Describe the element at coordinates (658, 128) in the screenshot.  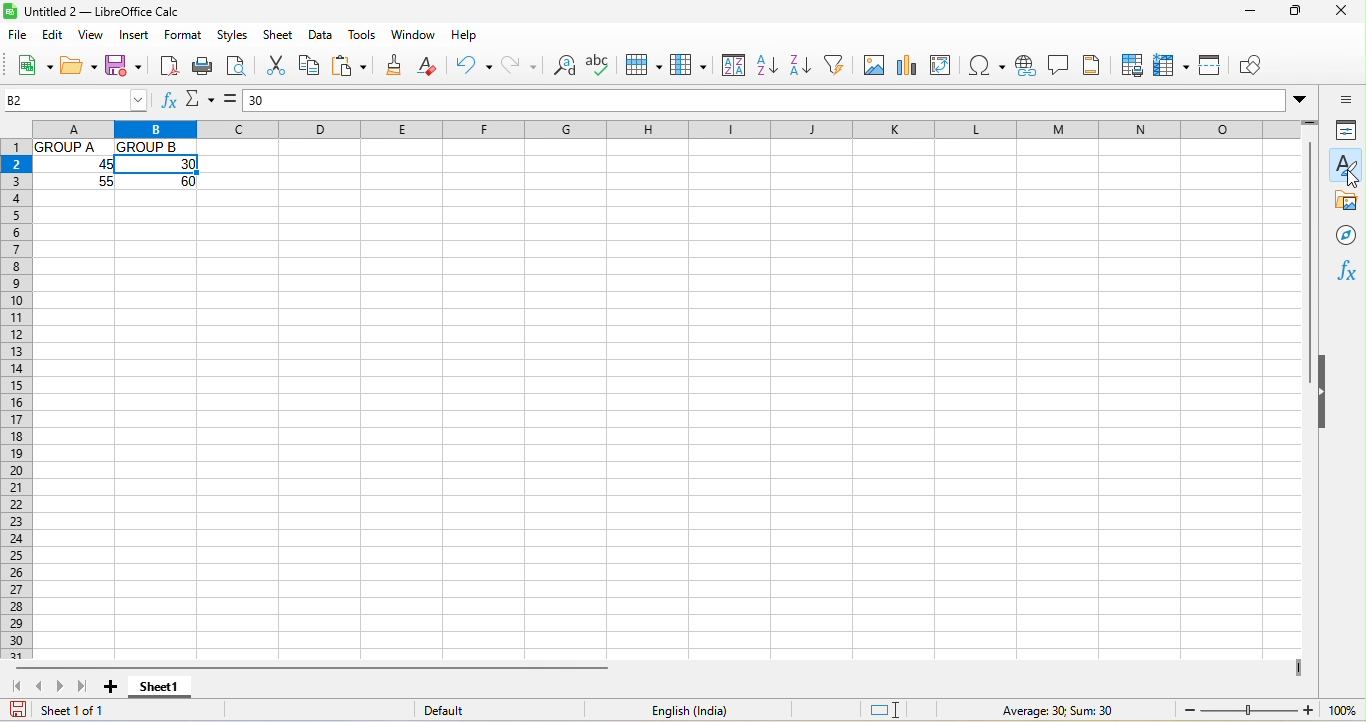
I see `column` at that location.